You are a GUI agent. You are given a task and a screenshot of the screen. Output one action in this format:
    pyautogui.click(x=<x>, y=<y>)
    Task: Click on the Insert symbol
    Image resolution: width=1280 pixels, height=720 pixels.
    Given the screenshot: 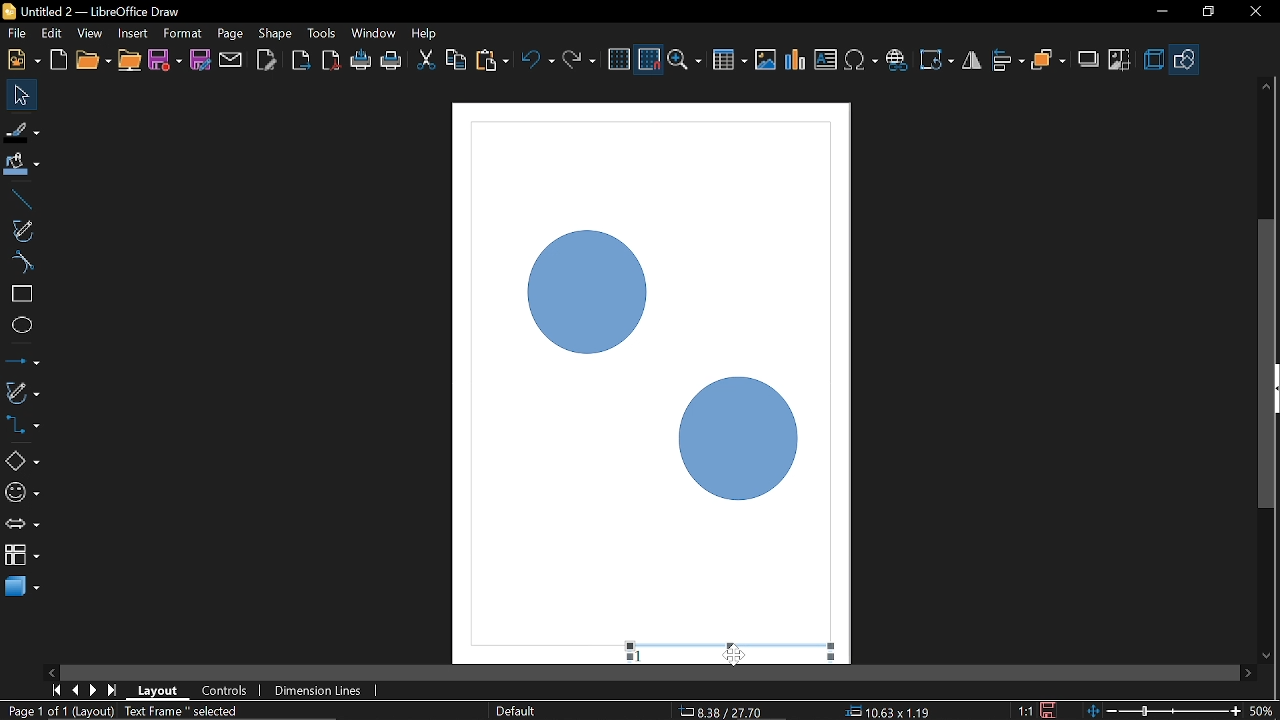 What is the action you would take?
    pyautogui.click(x=863, y=60)
    